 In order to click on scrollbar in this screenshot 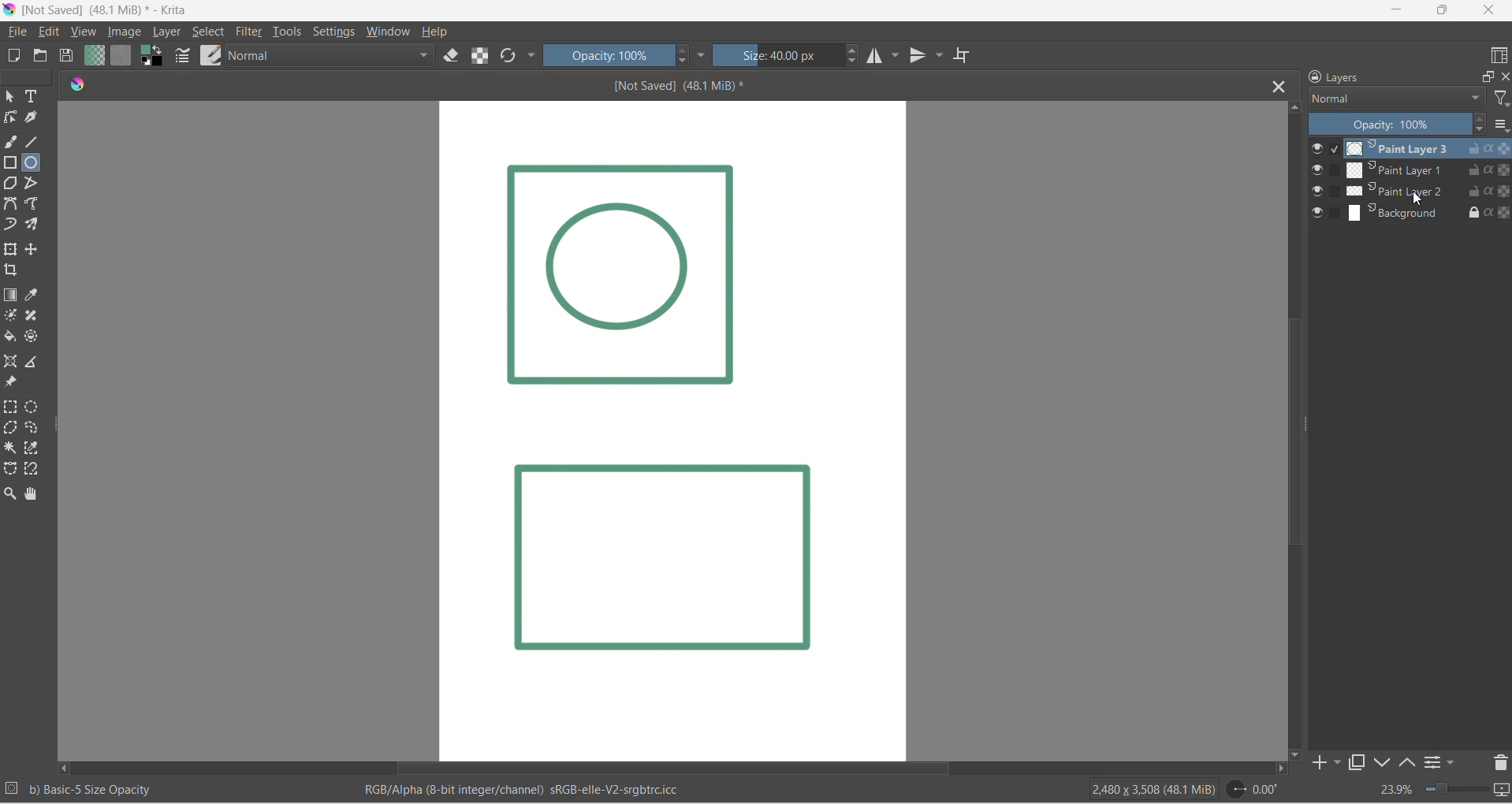, I will do `click(811, 769)`.